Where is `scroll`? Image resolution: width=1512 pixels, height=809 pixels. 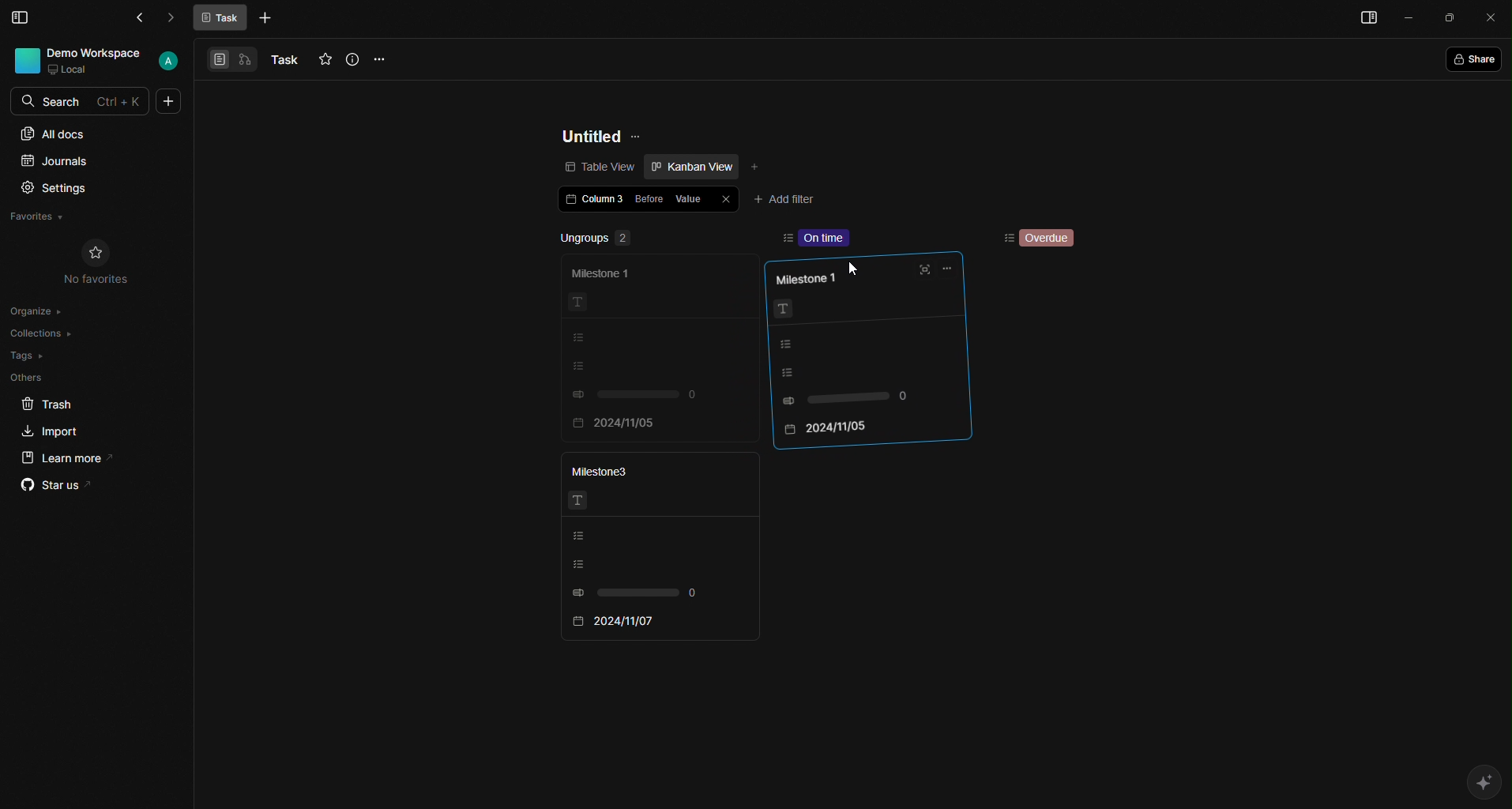
scroll is located at coordinates (860, 680).